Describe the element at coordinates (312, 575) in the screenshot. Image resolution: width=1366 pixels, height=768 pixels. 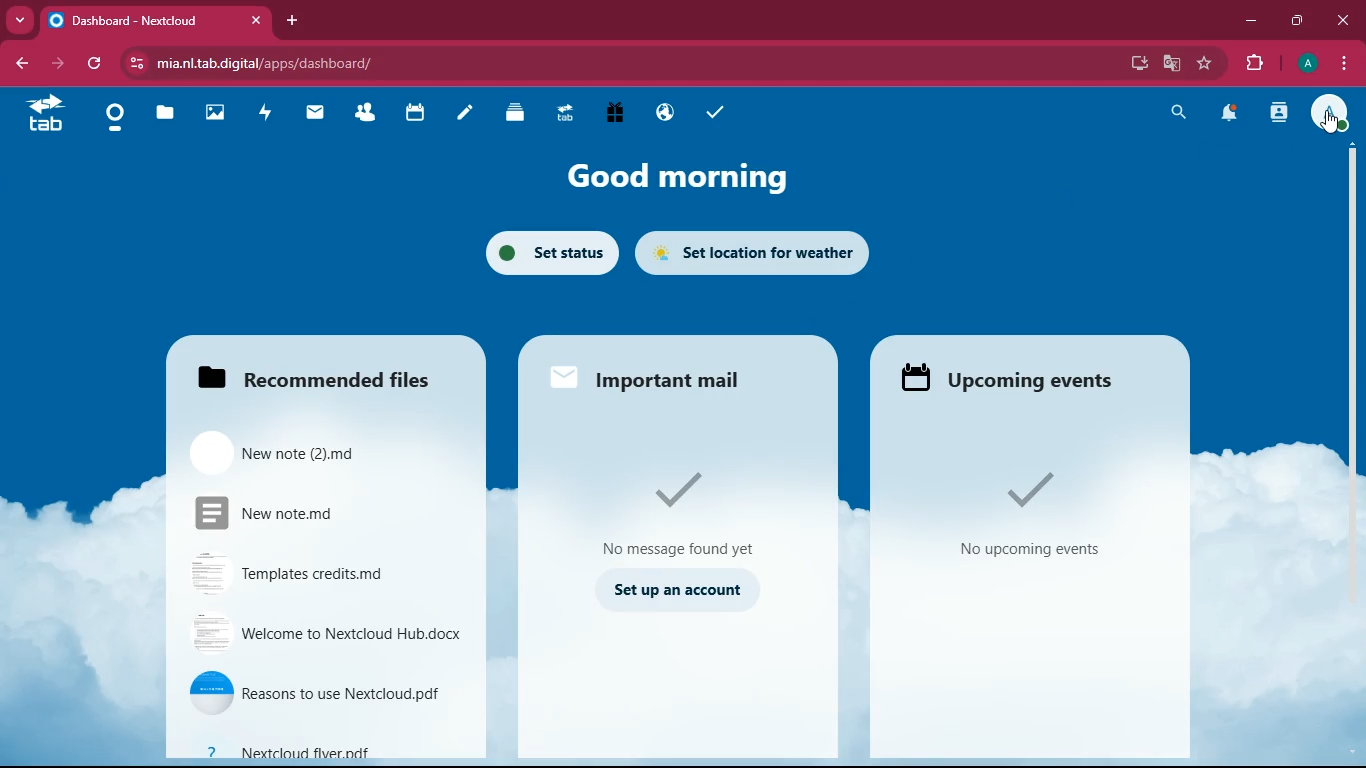
I see `file` at that location.